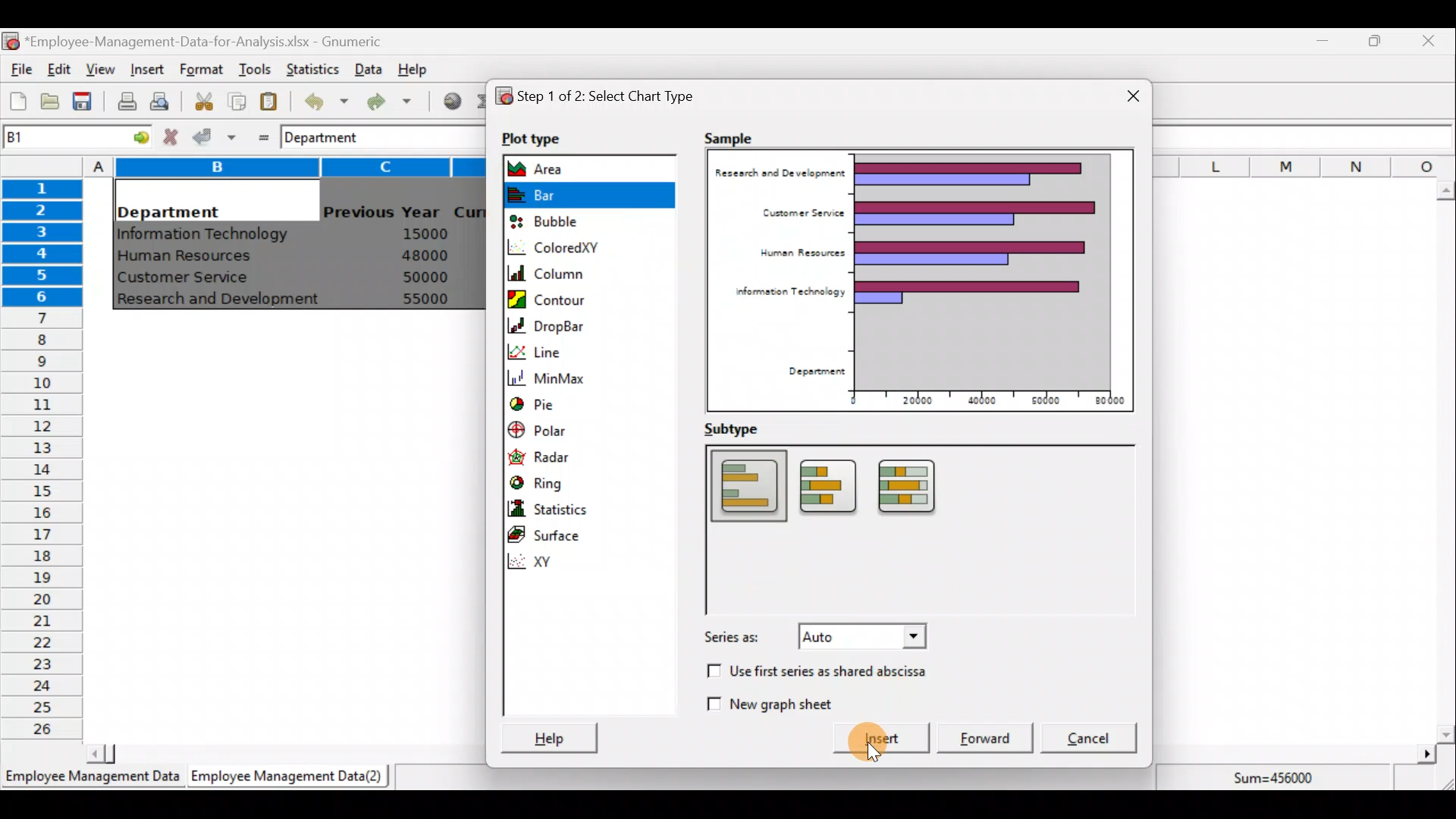 The height and width of the screenshot is (819, 1456). I want to click on Help, so click(422, 68).